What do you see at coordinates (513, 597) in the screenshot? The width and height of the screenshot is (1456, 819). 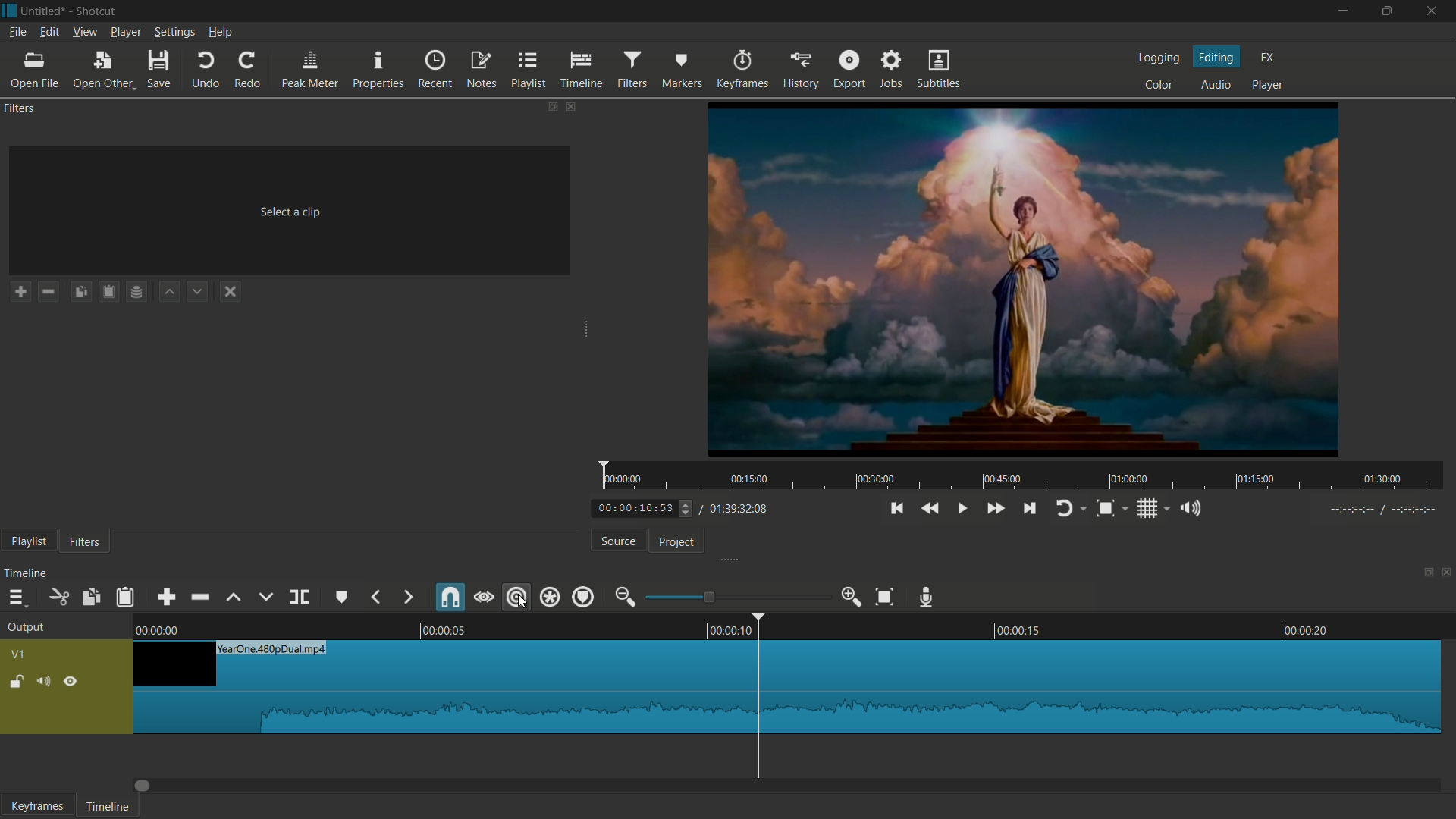 I see `ripple` at bounding box center [513, 597].